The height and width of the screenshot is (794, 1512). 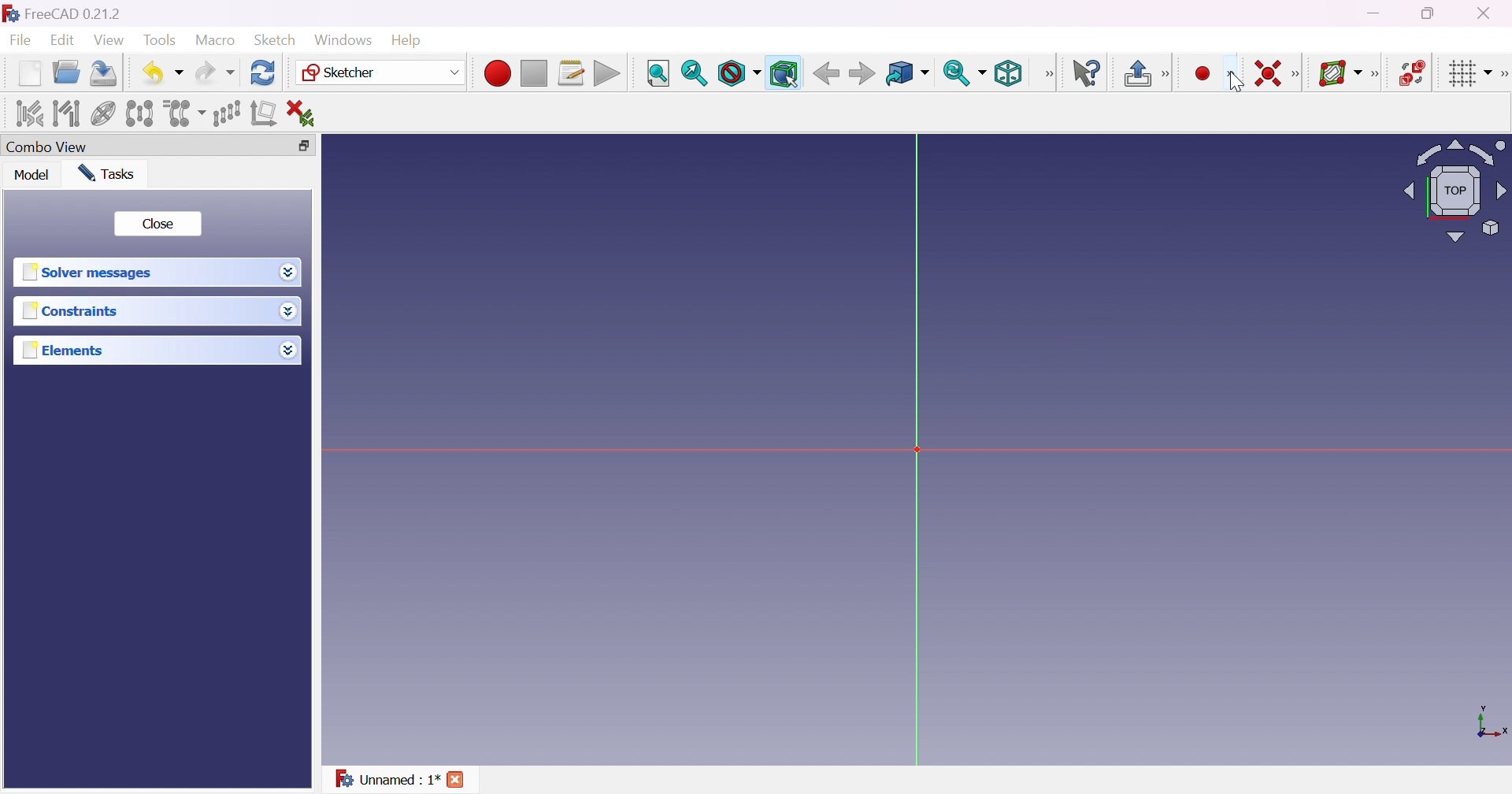 I want to click on Combo view, so click(x=48, y=145).